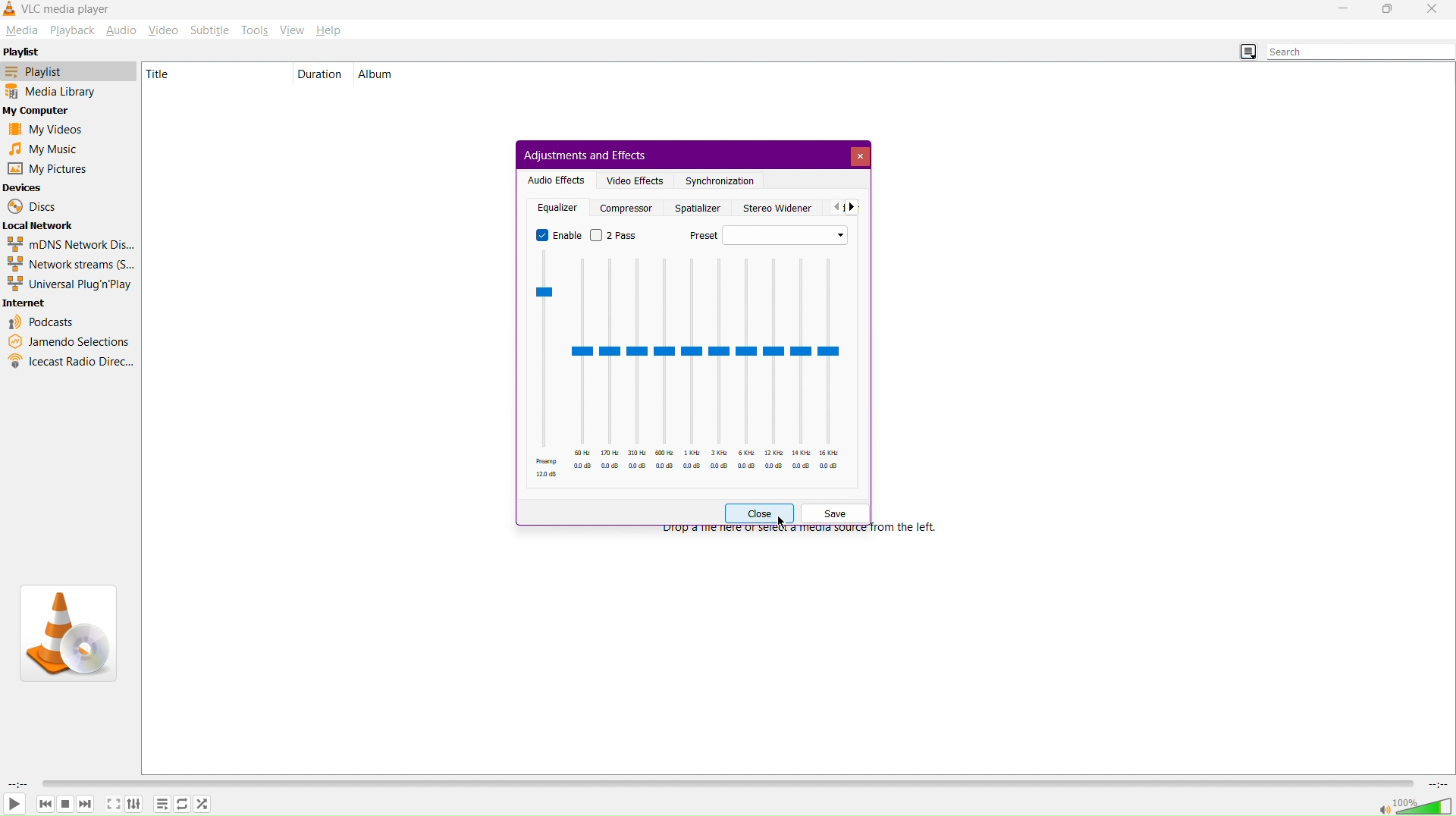 The image size is (1456, 816). What do you see at coordinates (331, 29) in the screenshot?
I see `Help` at bounding box center [331, 29].